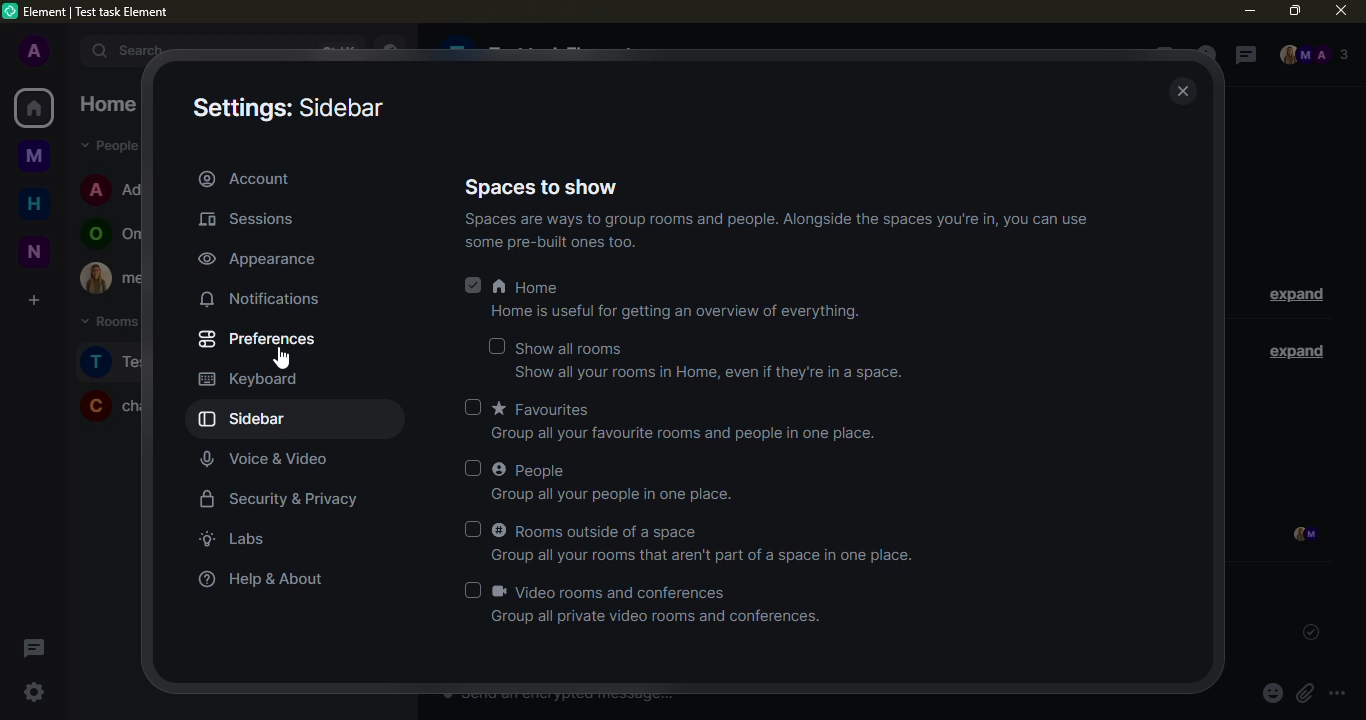 This screenshot has height=720, width=1366. What do you see at coordinates (1296, 296) in the screenshot?
I see `expand` at bounding box center [1296, 296].